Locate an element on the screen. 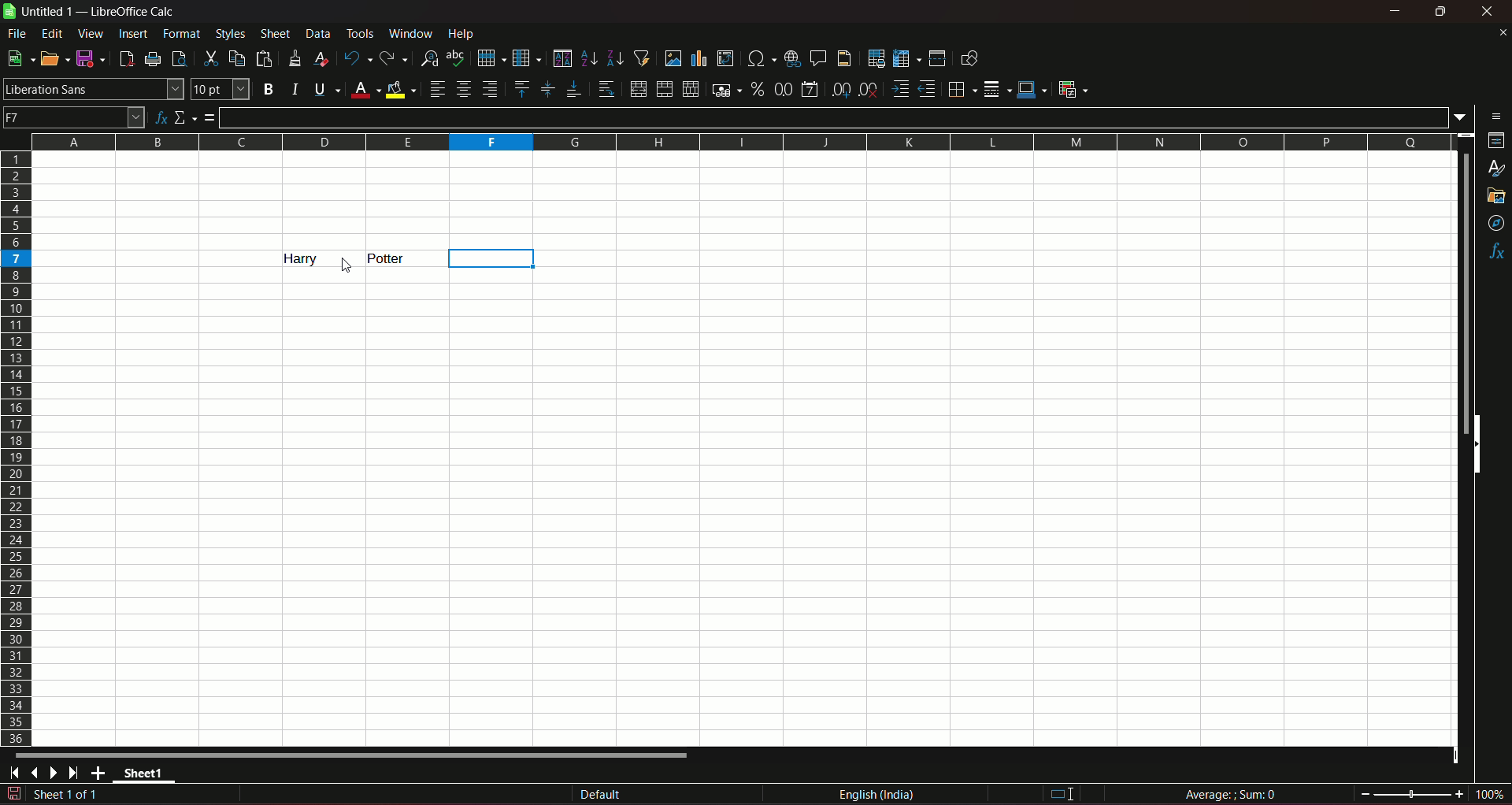  file is located at coordinates (18, 33).